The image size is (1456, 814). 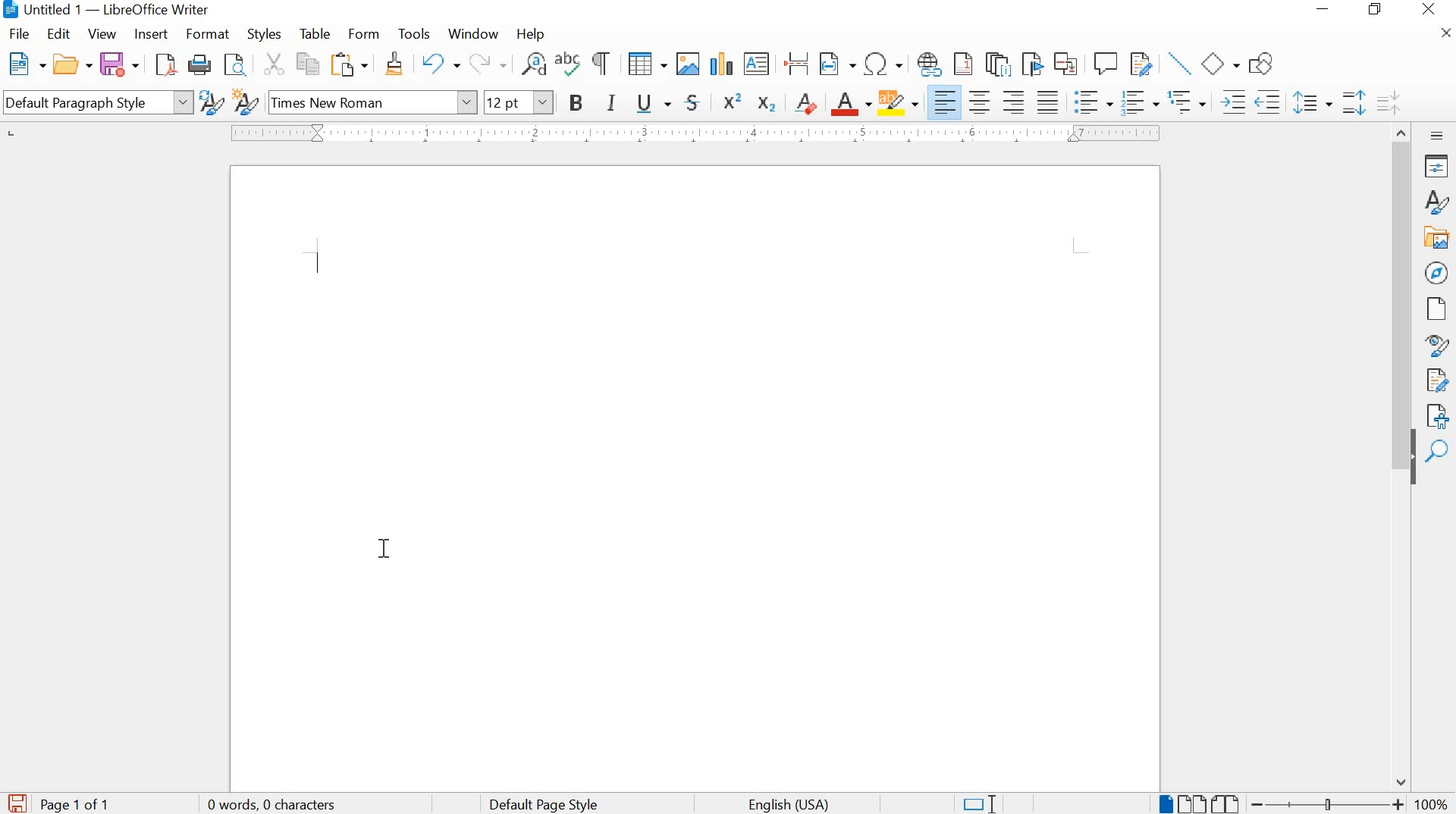 I want to click on INCREASE INDENT, so click(x=1230, y=101).